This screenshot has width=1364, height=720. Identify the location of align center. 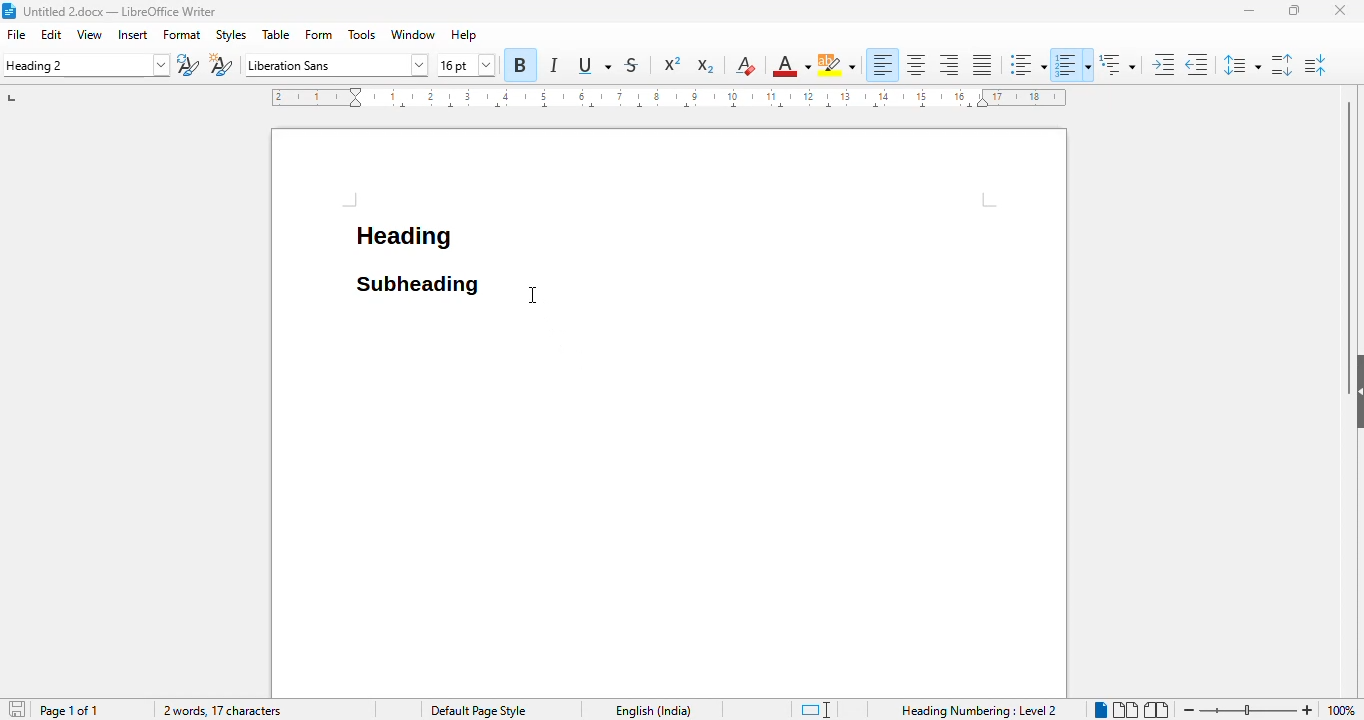
(916, 65).